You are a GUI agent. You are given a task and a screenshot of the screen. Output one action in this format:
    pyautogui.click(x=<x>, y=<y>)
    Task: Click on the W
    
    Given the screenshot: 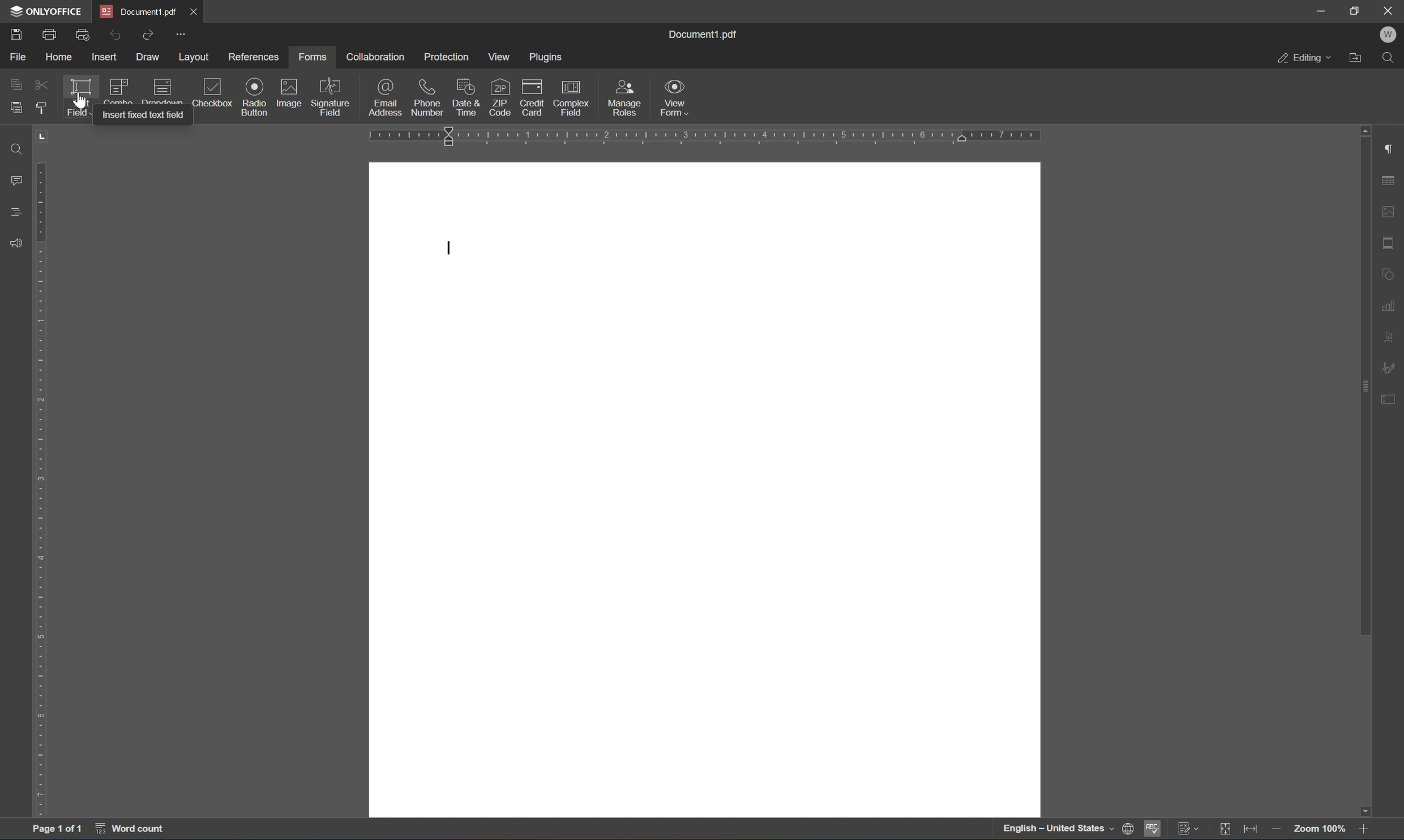 What is the action you would take?
    pyautogui.click(x=1388, y=36)
    